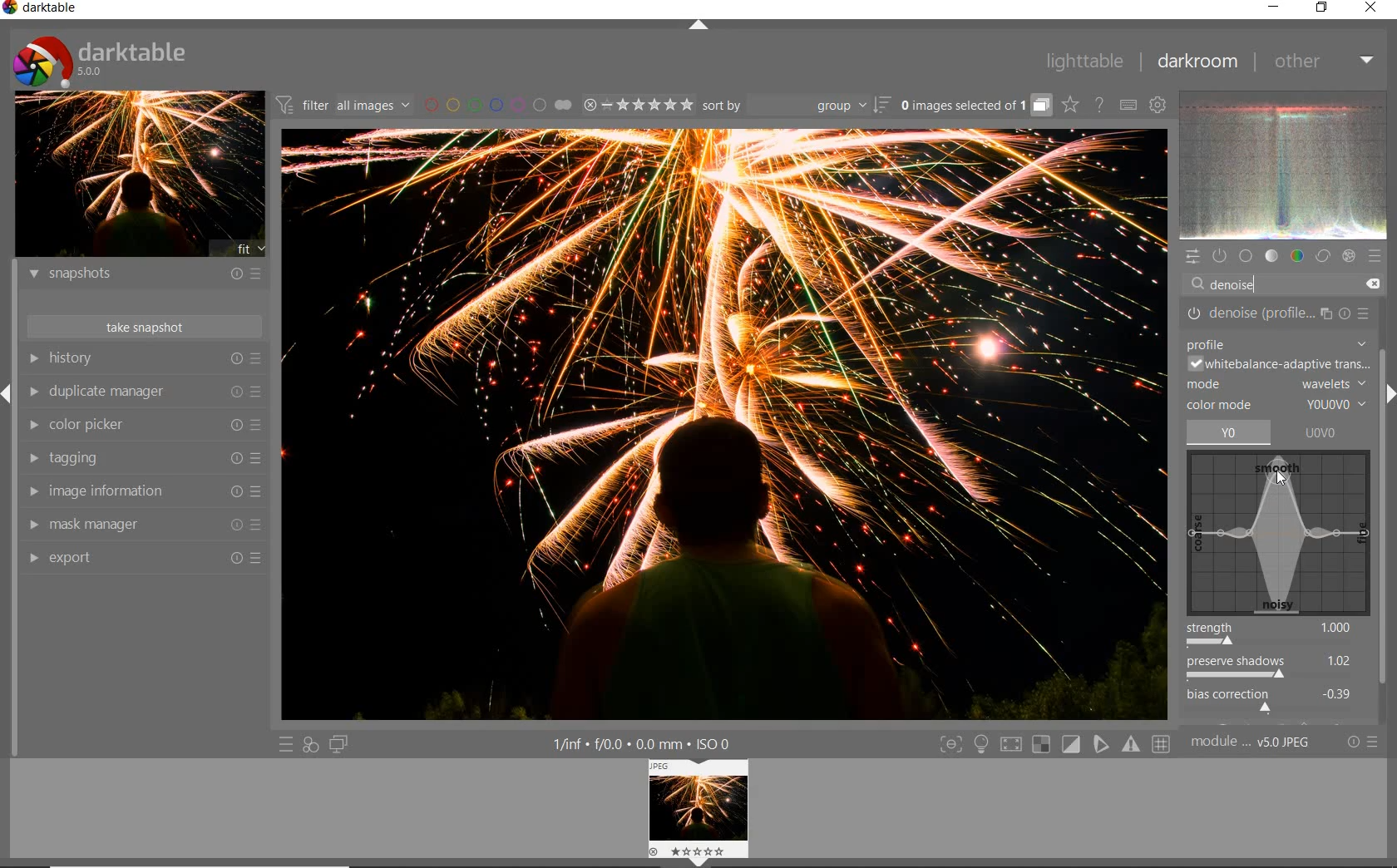 This screenshot has width=1397, height=868. I want to click on selected image, so click(724, 424).